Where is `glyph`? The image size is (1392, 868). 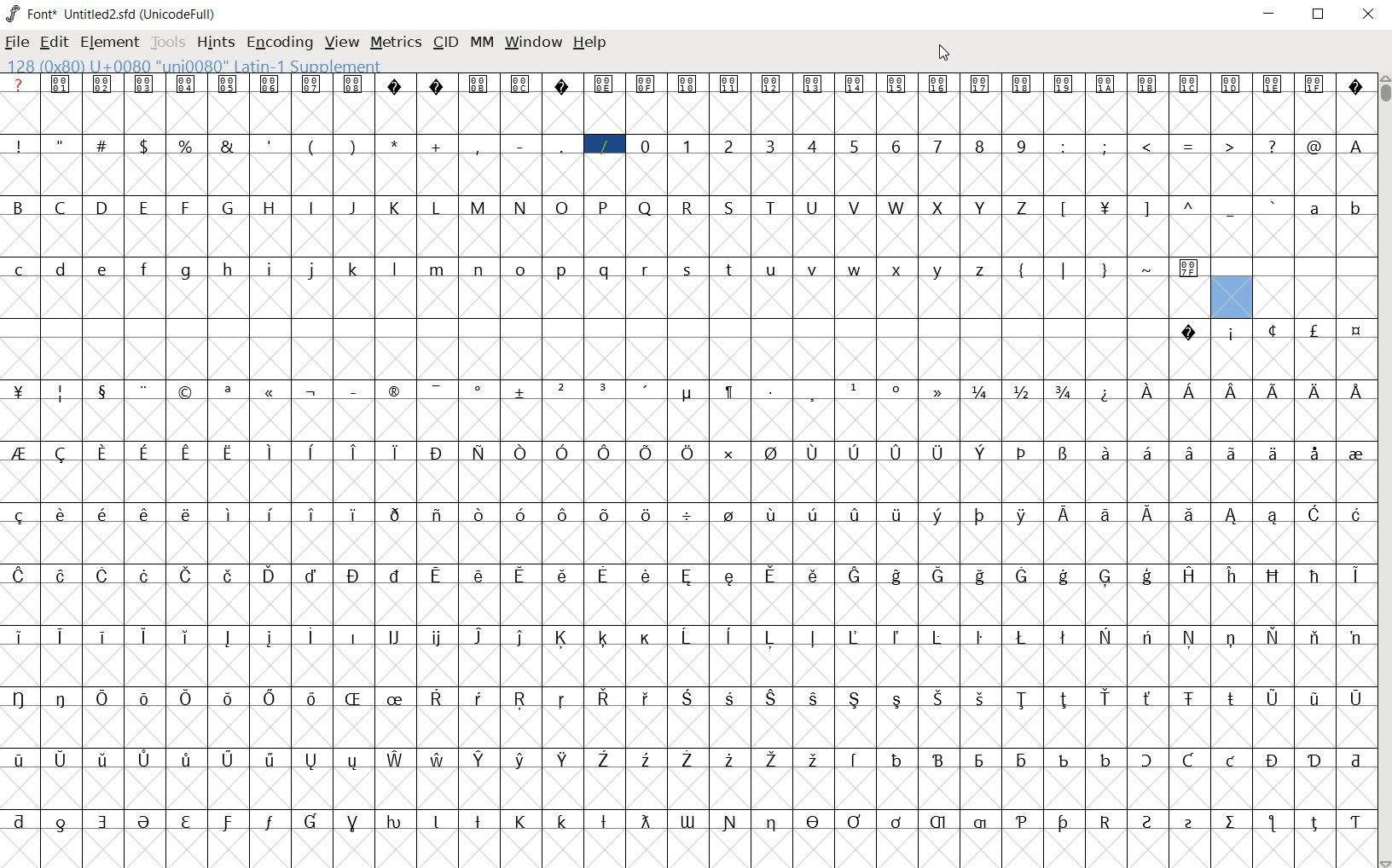
glyph is located at coordinates (61, 394).